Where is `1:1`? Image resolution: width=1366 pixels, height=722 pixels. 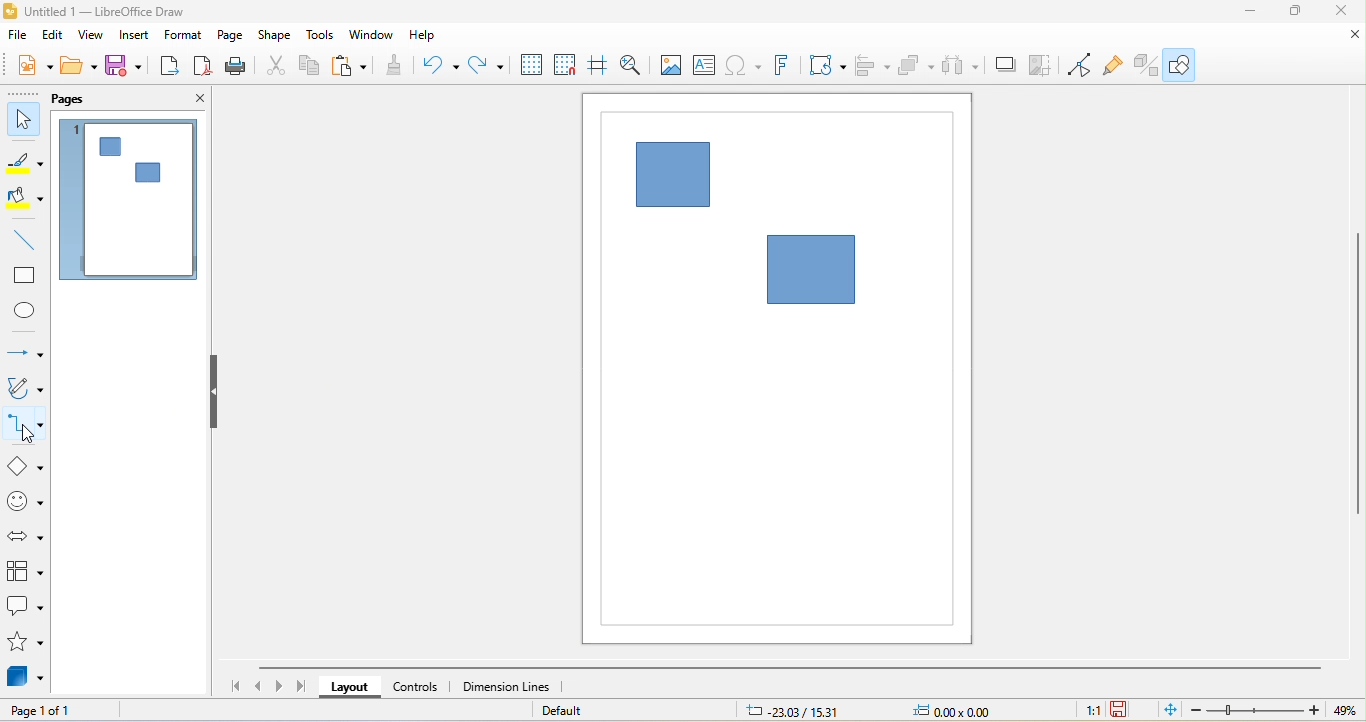
1:1 is located at coordinates (1092, 710).